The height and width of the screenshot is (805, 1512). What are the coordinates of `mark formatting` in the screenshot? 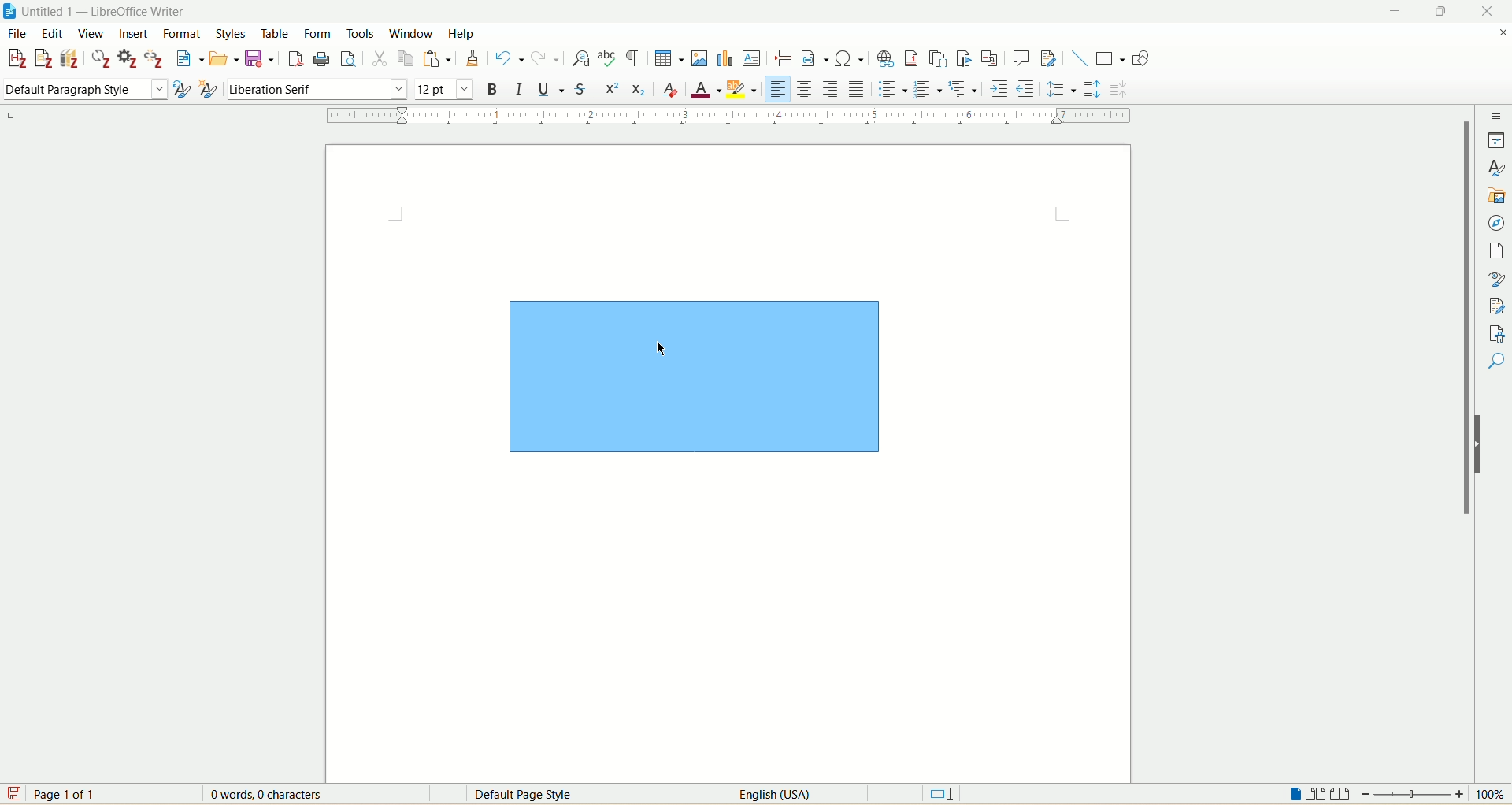 It's located at (636, 61).